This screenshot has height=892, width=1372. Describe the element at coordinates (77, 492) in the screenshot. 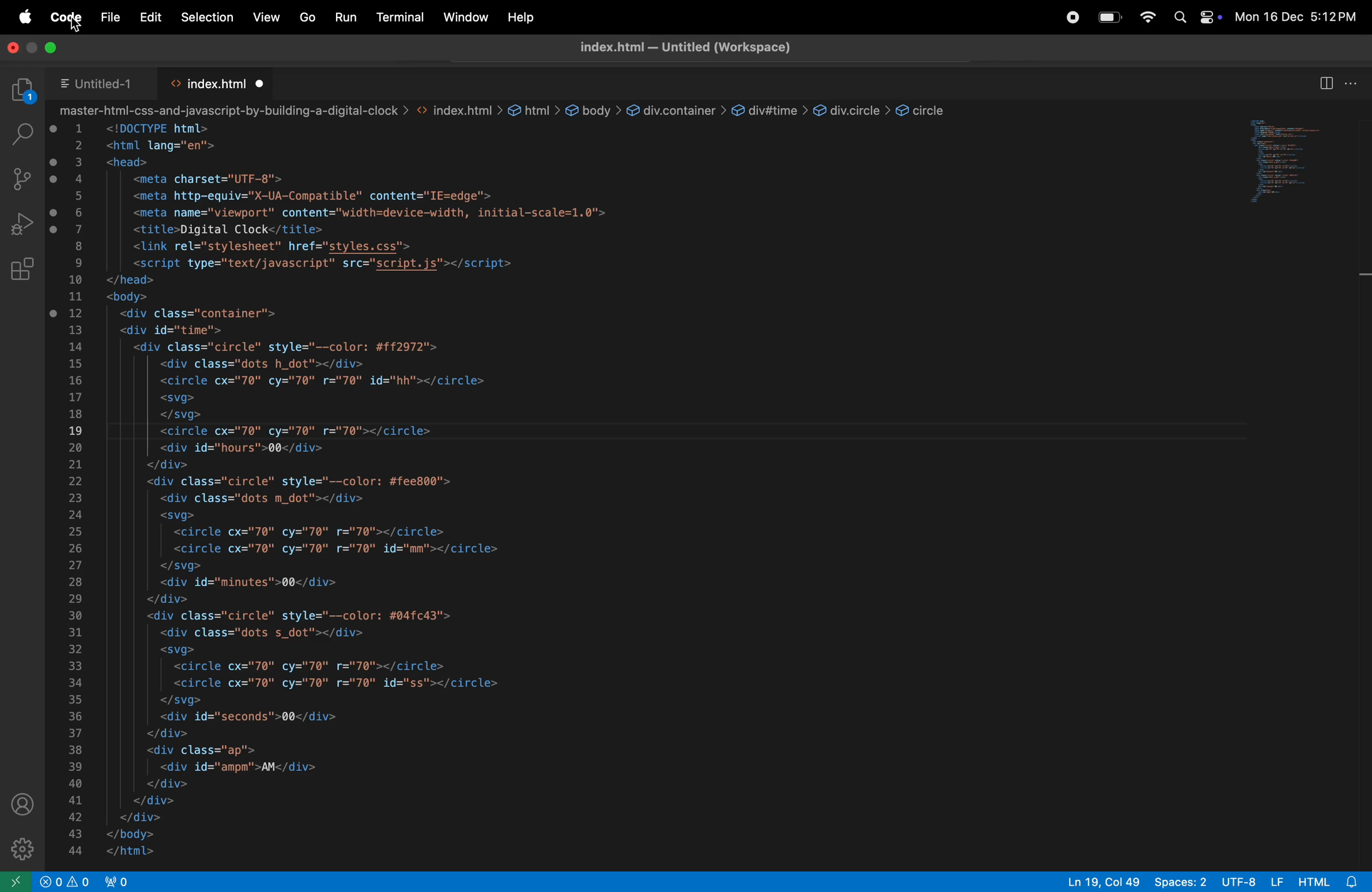

I see `numbers` at that location.